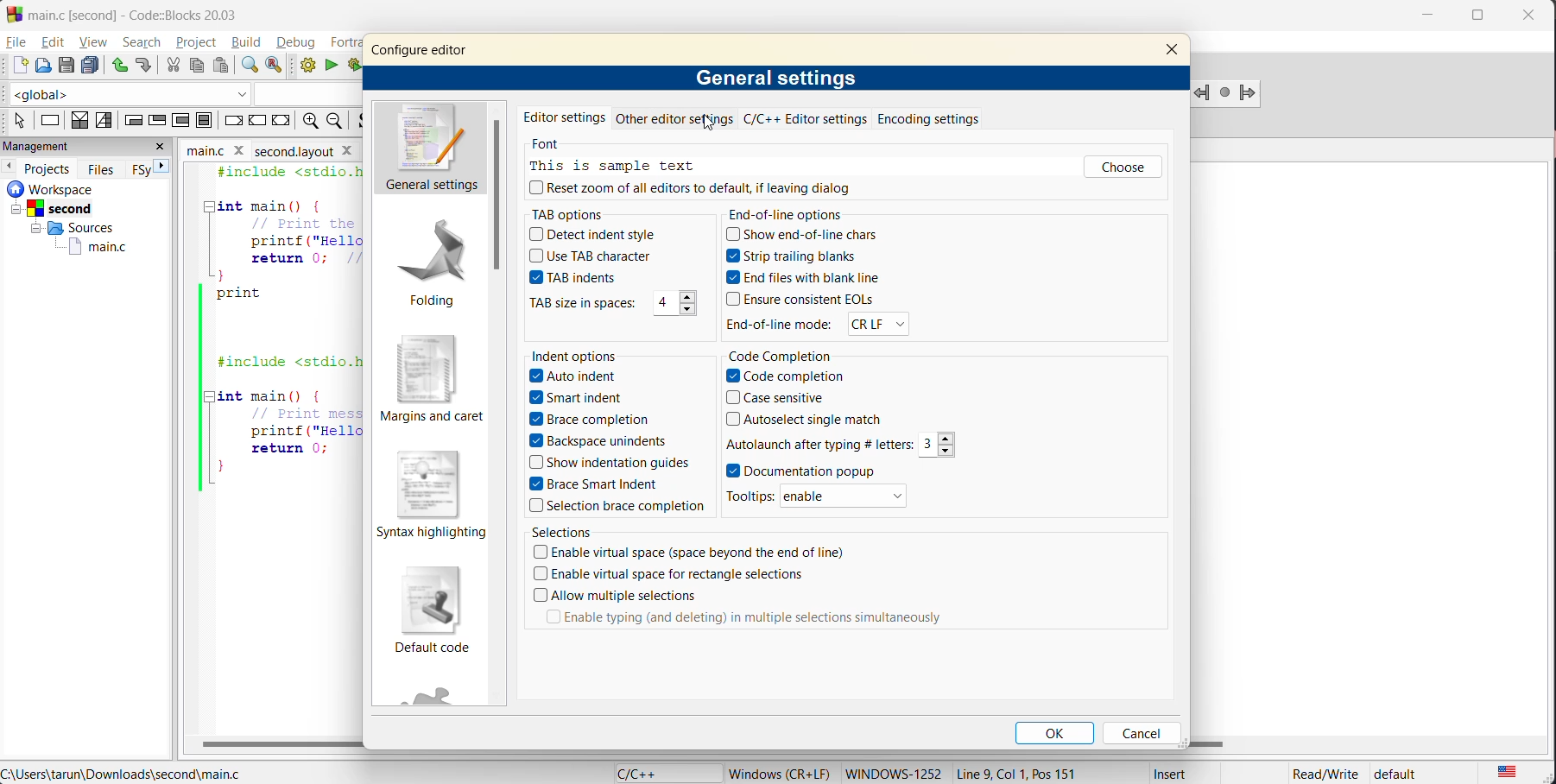  I want to click on close, so click(1534, 15).